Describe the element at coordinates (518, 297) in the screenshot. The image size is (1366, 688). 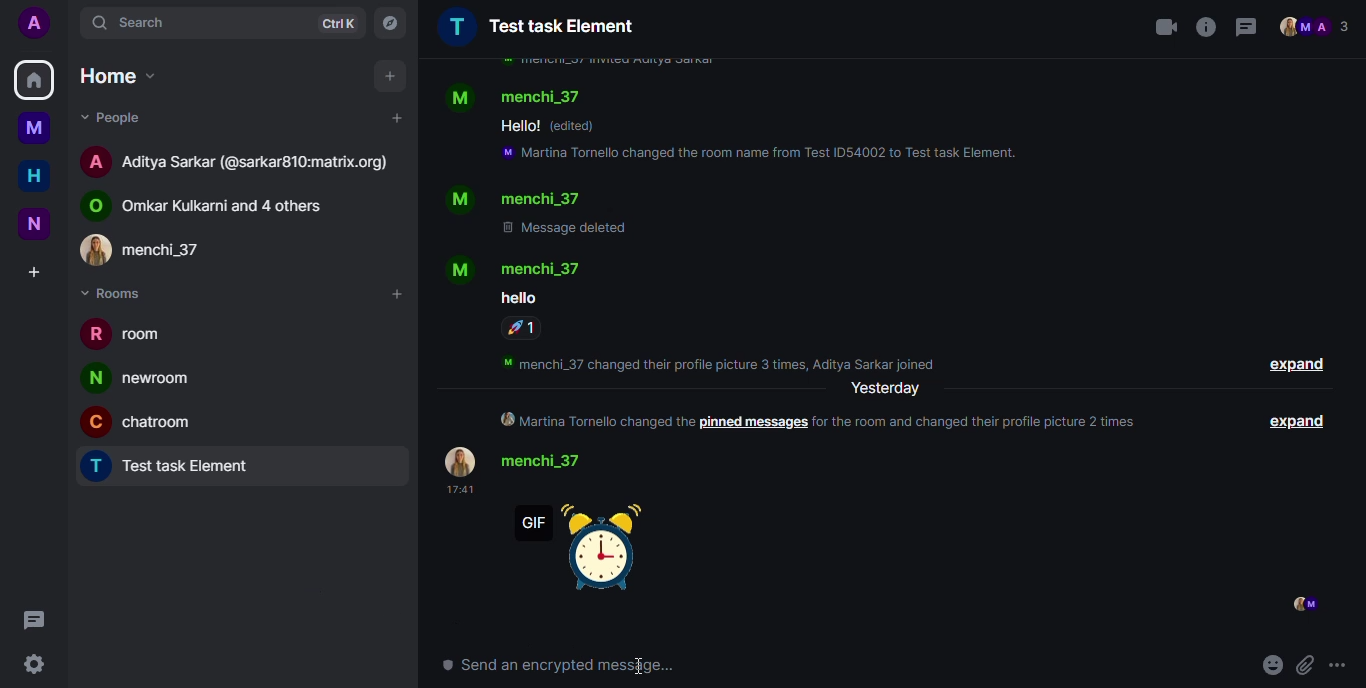
I see `text` at that location.